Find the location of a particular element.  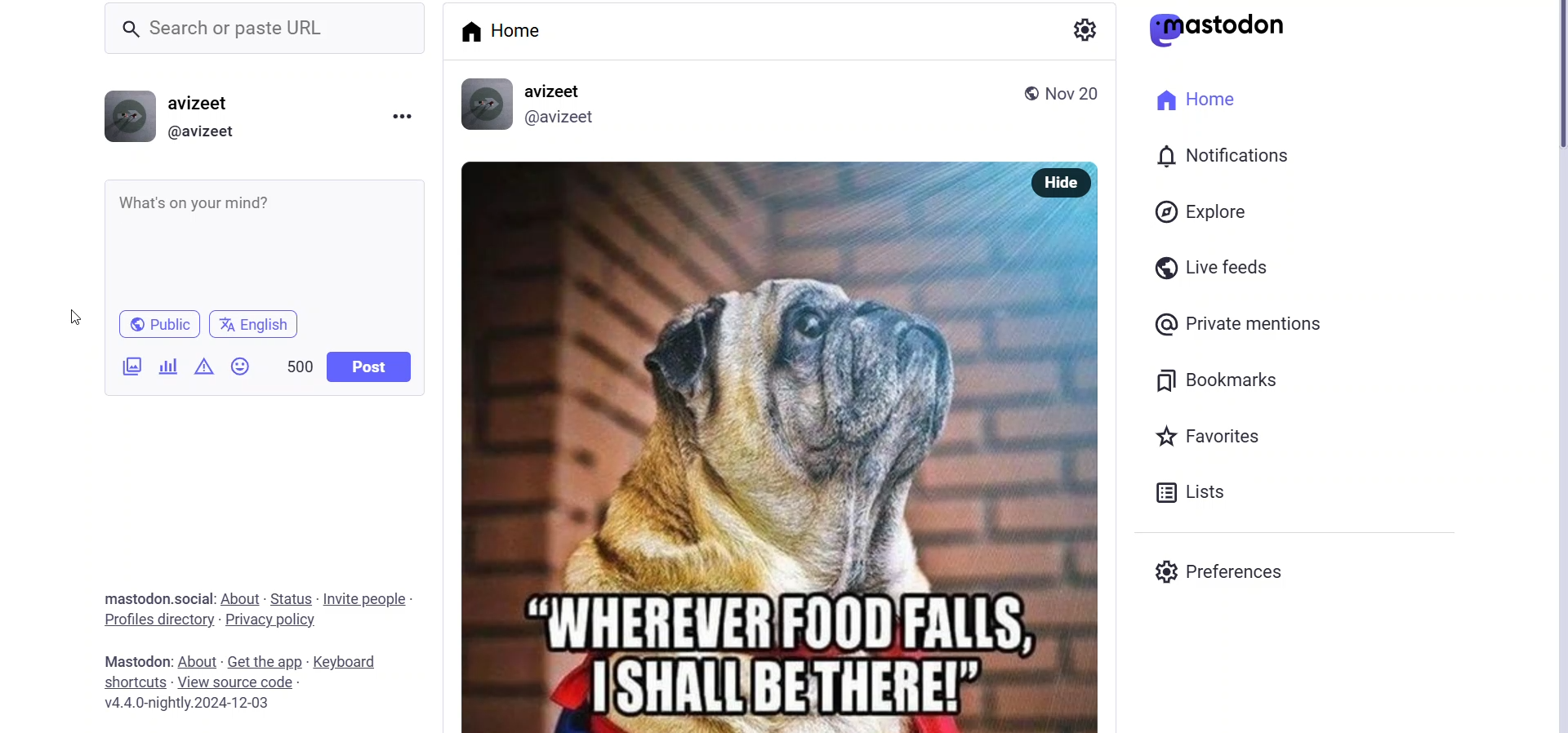

Cursor is located at coordinates (66, 317).